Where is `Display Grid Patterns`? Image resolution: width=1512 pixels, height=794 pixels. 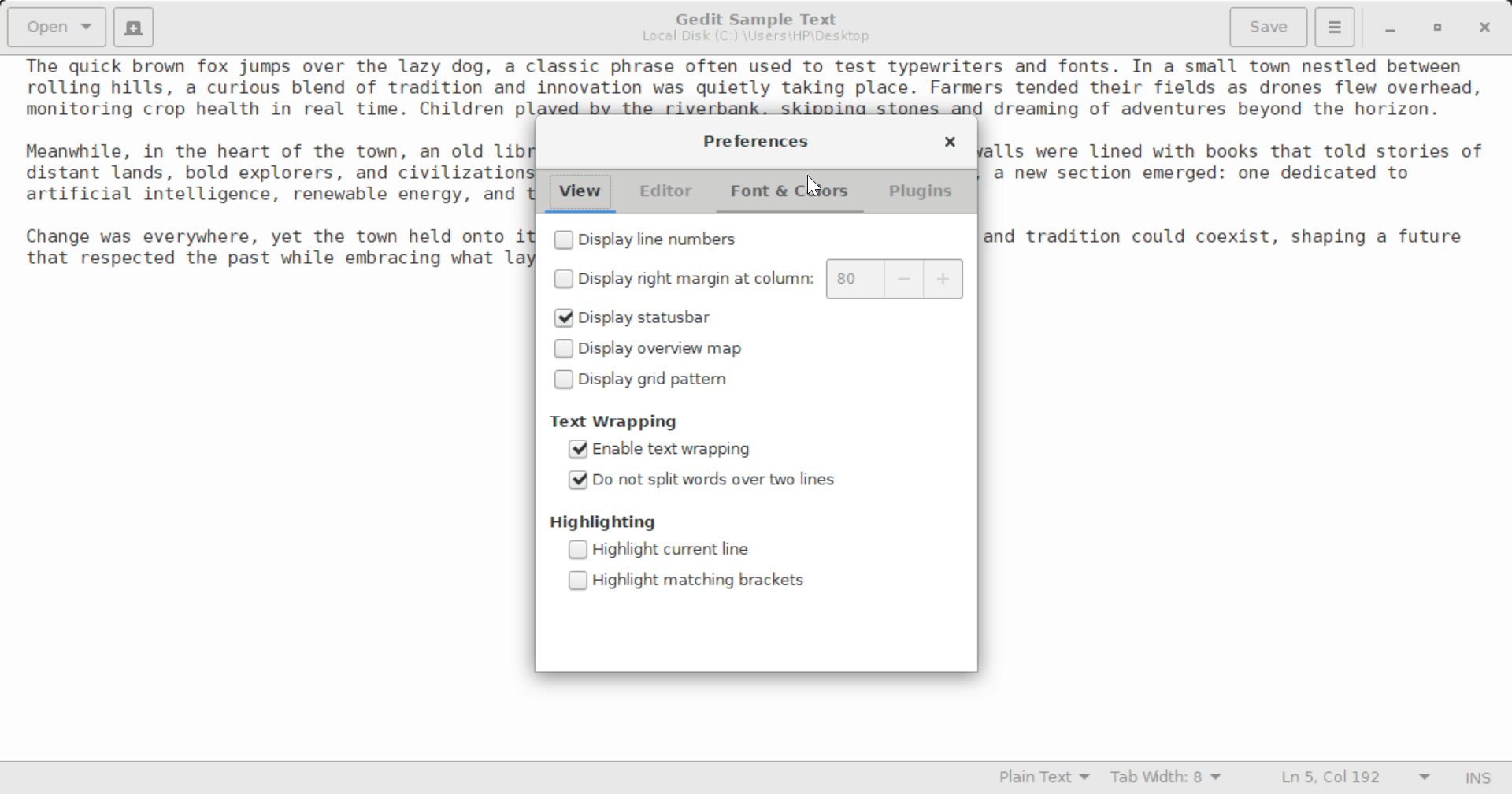 Display Grid Patterns is located at coordinates (644, 382).